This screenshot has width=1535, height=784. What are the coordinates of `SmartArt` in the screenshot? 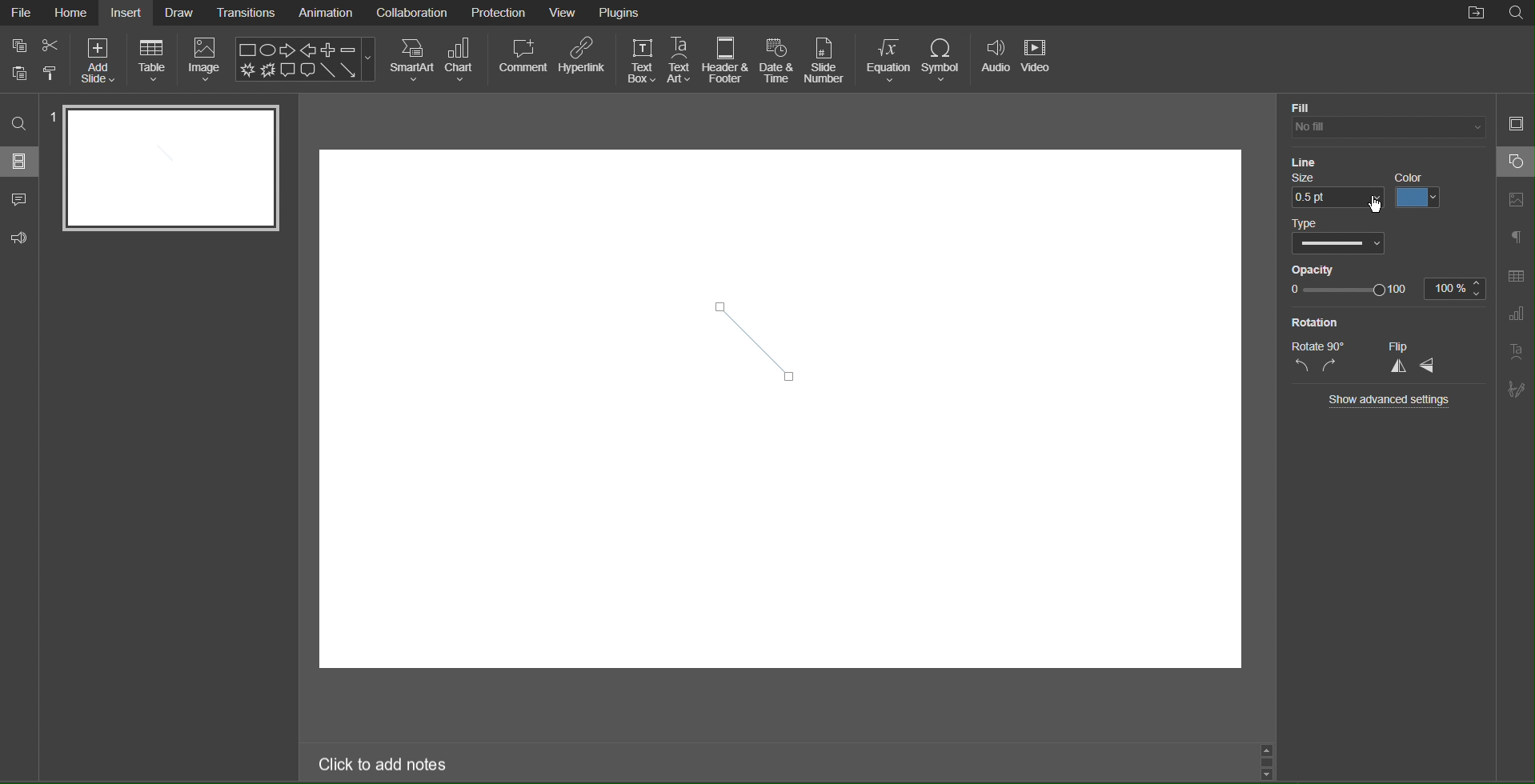 It's located at (411, 59).